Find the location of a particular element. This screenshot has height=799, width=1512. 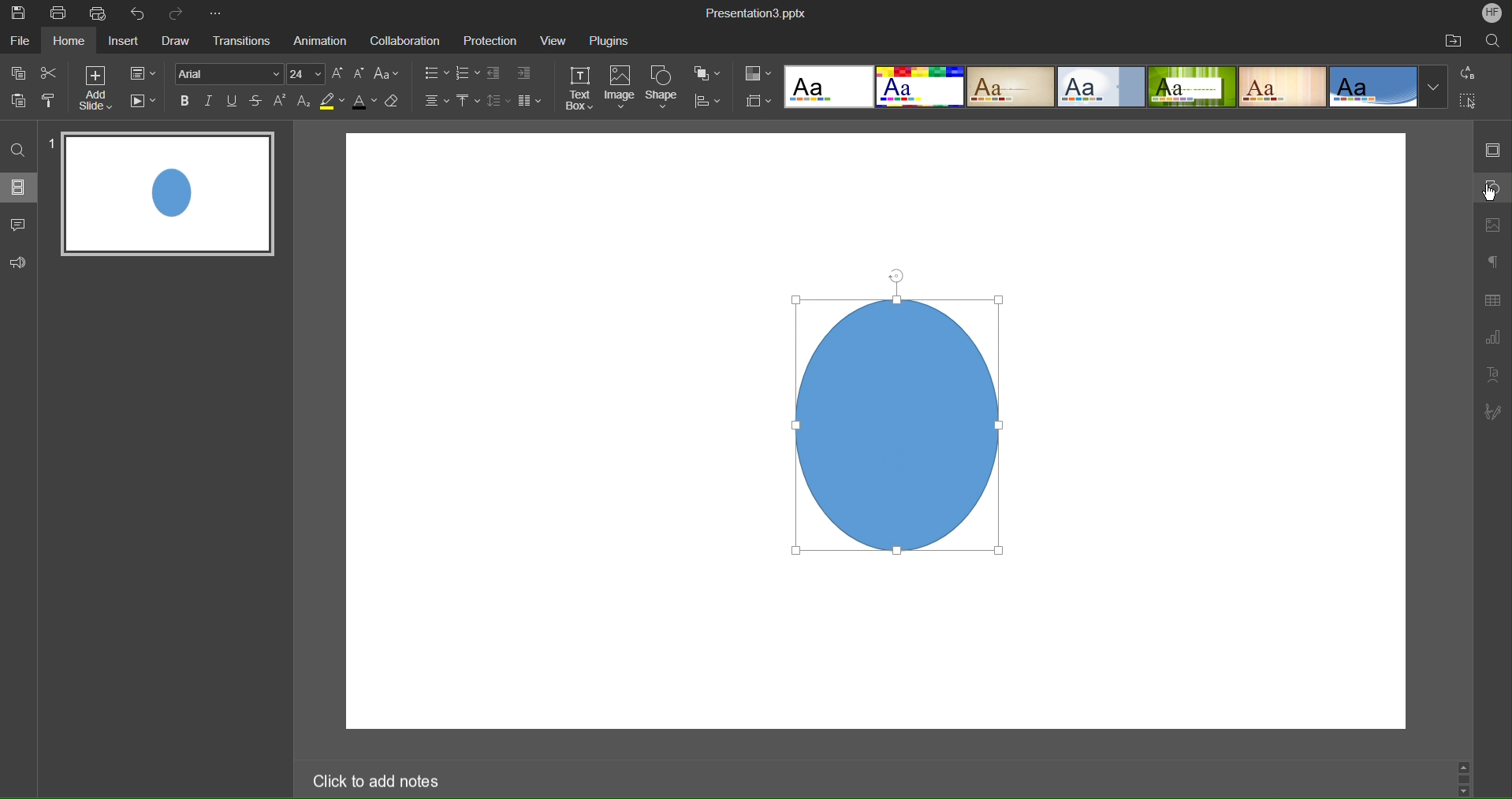

Italics is located at coordinates (210, 103).